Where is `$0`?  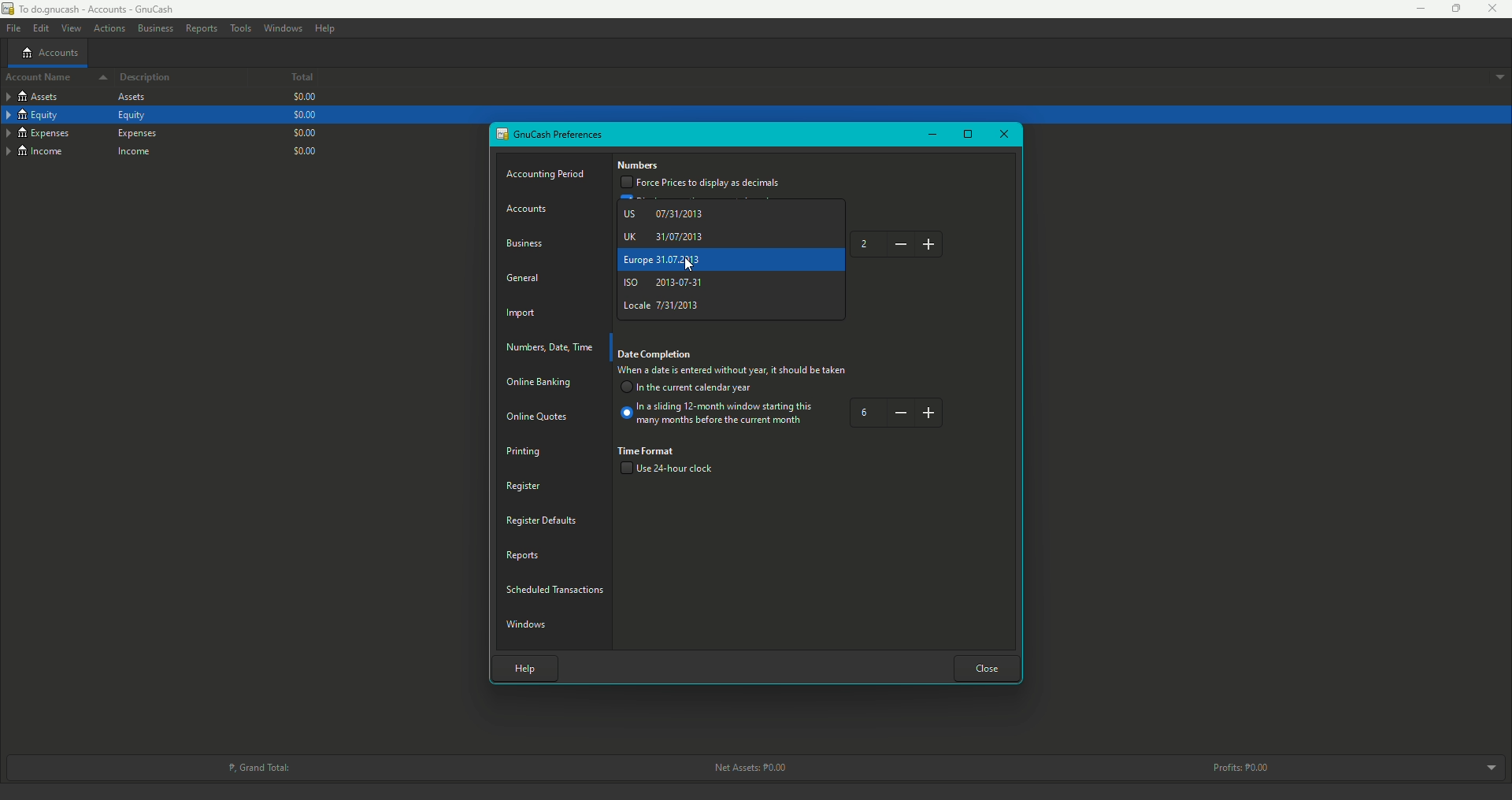
$0 is located at coordinates (303, 115).